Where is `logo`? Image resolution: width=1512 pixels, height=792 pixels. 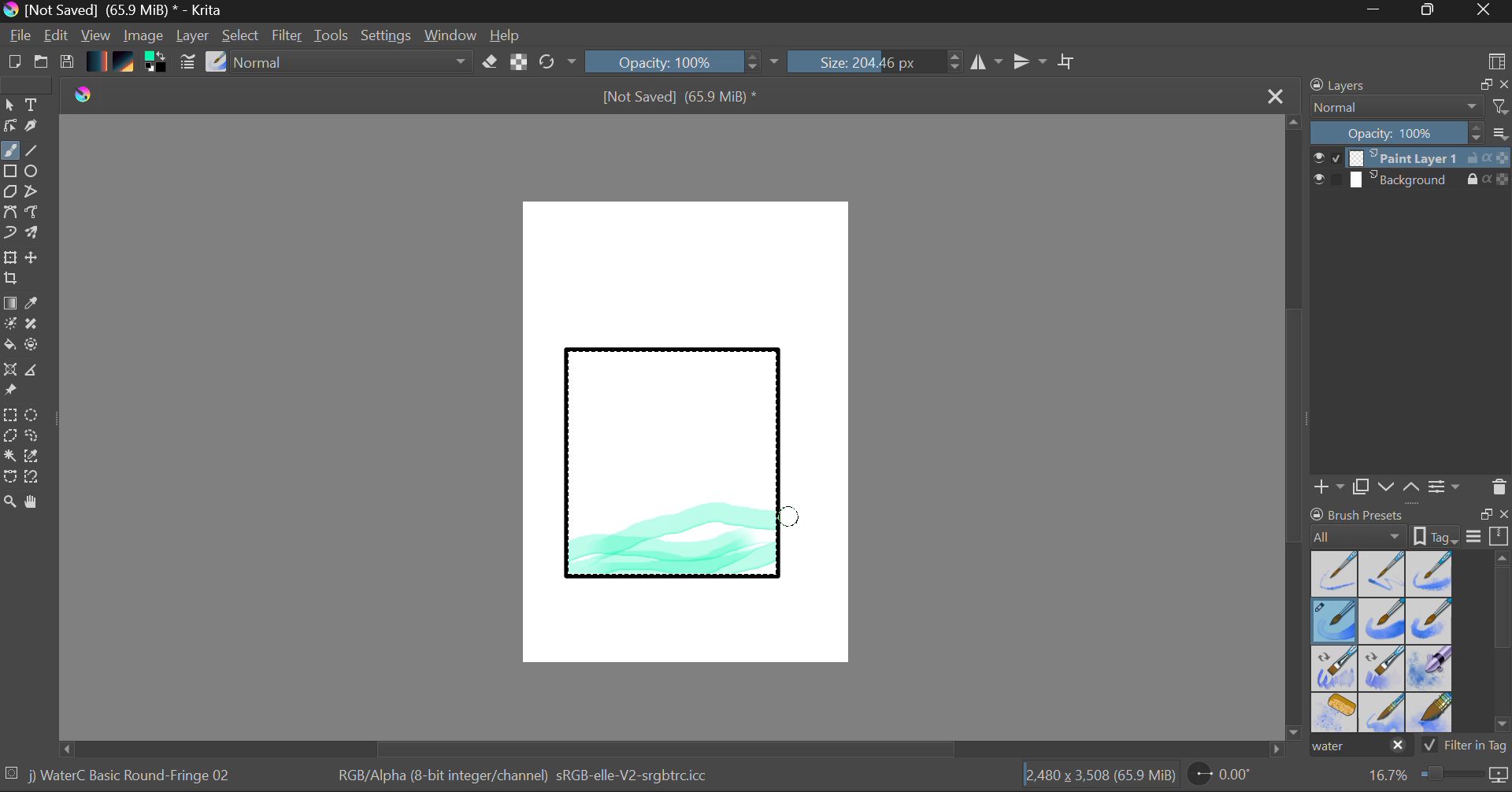 logo is located at coordinates (87, 93).